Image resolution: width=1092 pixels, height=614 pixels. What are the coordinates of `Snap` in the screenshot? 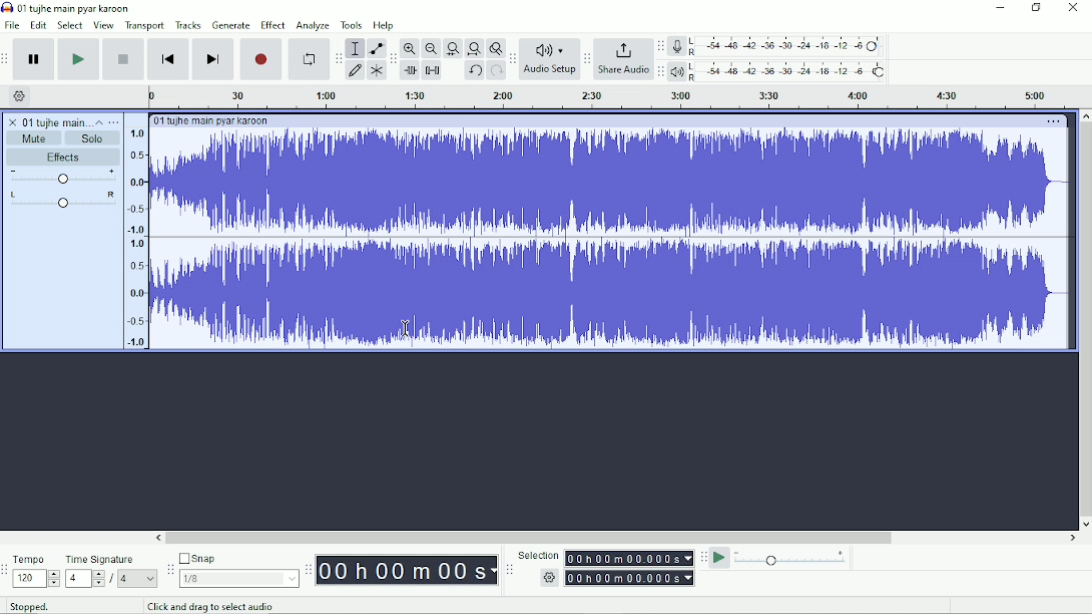 It's located at (237, 570).